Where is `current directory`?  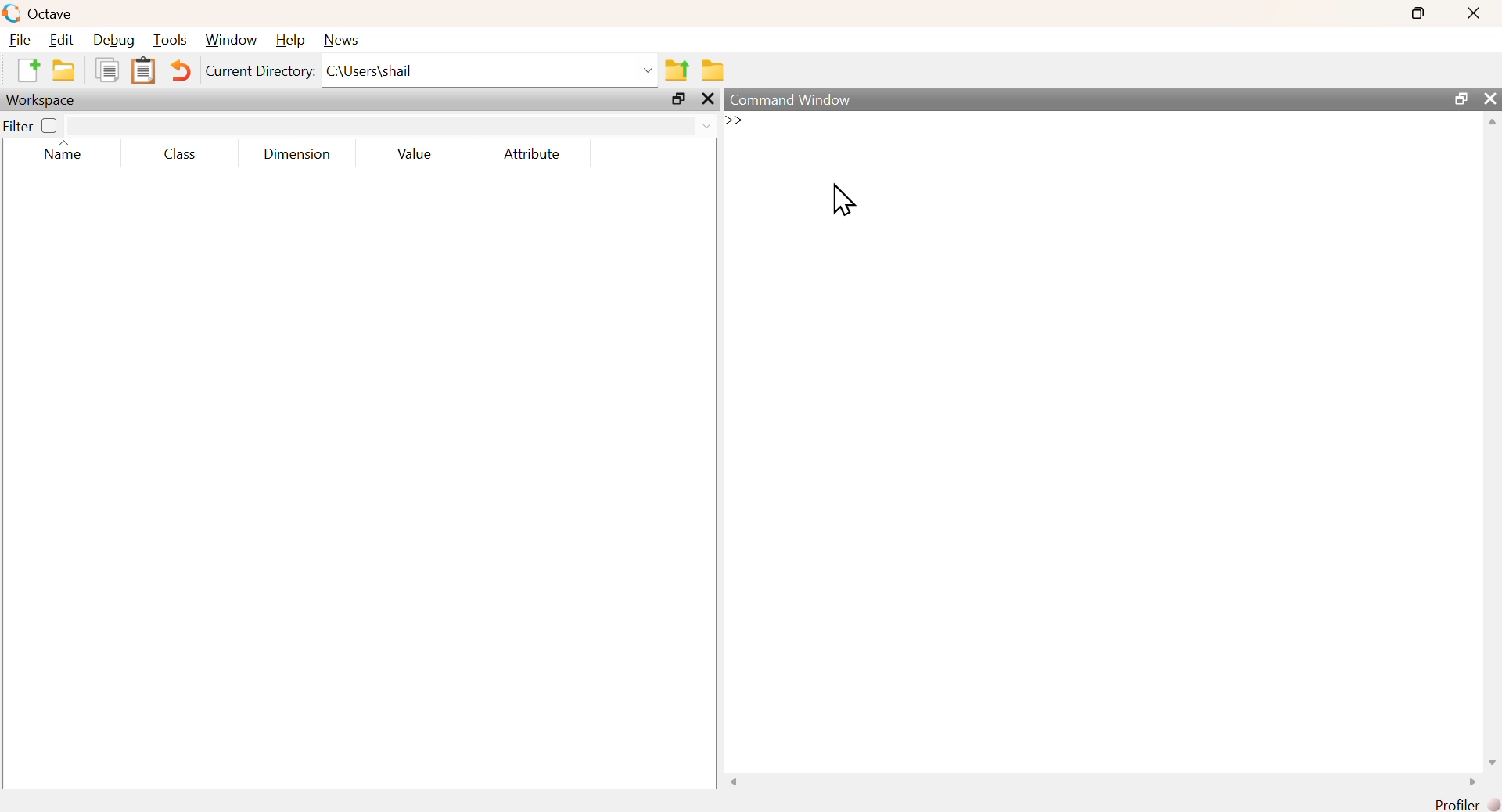 current directory is located at coordinates (260, 73).